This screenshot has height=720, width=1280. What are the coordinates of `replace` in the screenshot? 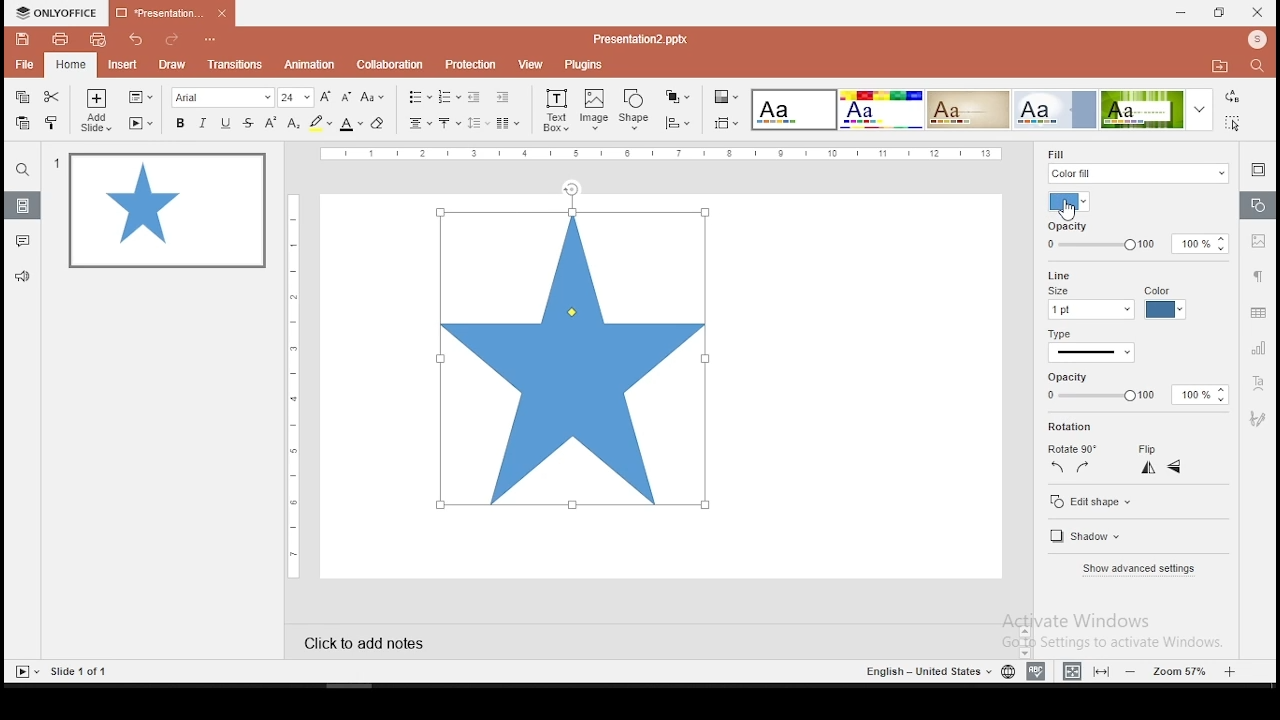 It's located at (1233, 97).